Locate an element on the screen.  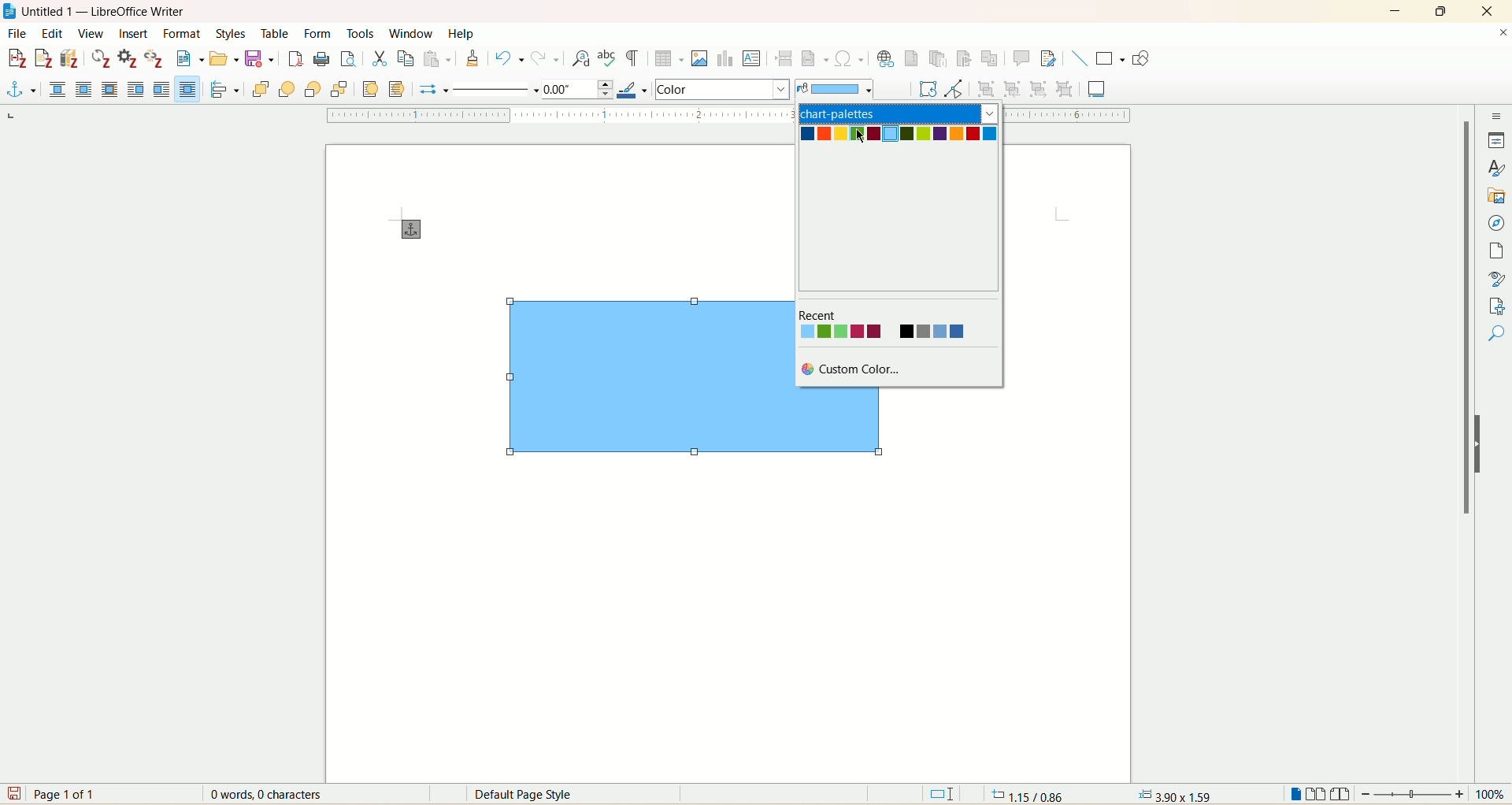
dimensions is located at coordinates (1174, 793).